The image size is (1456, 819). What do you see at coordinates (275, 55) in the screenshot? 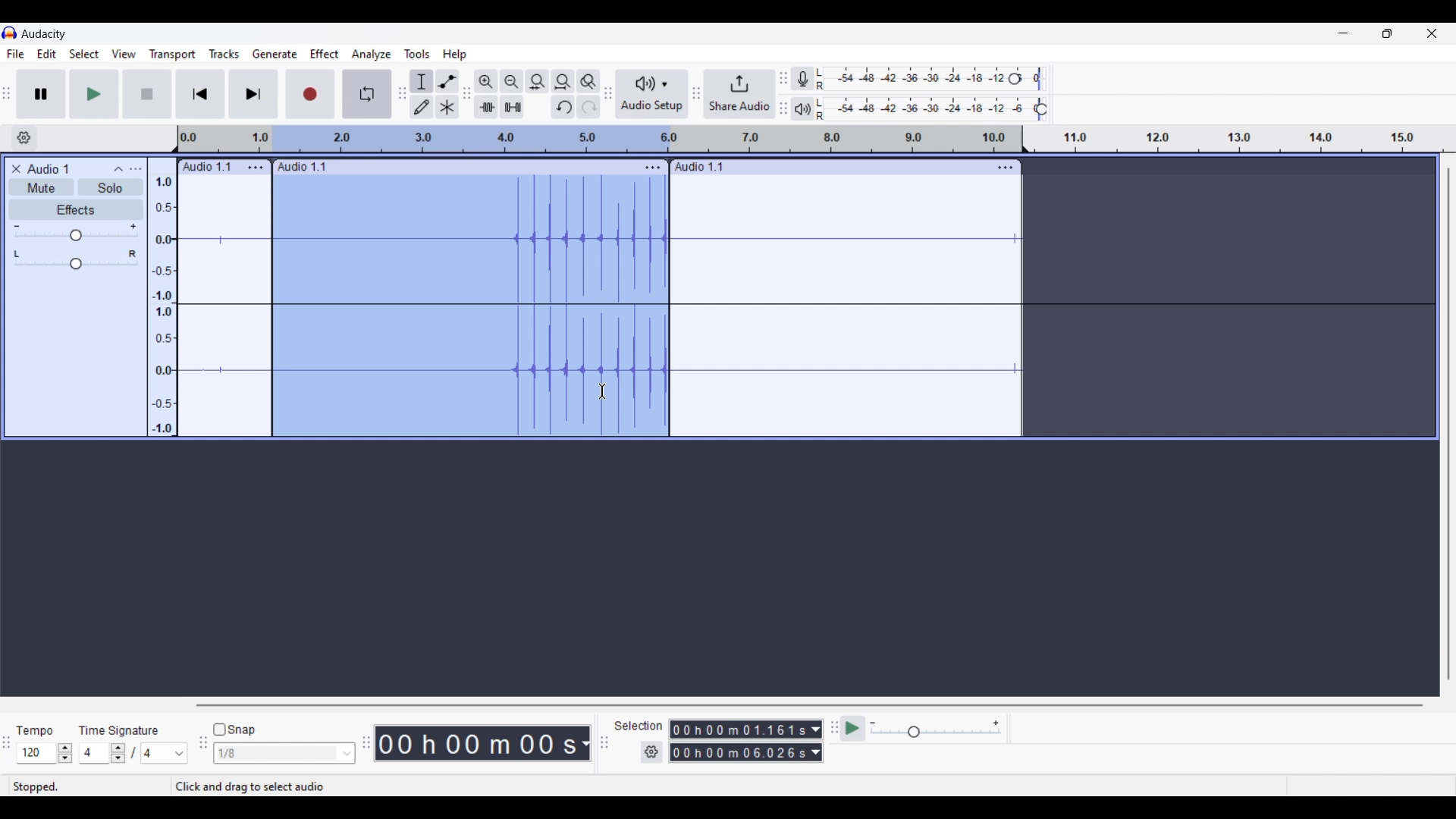
I see `Generate menu` at bounding box center [275, 55].